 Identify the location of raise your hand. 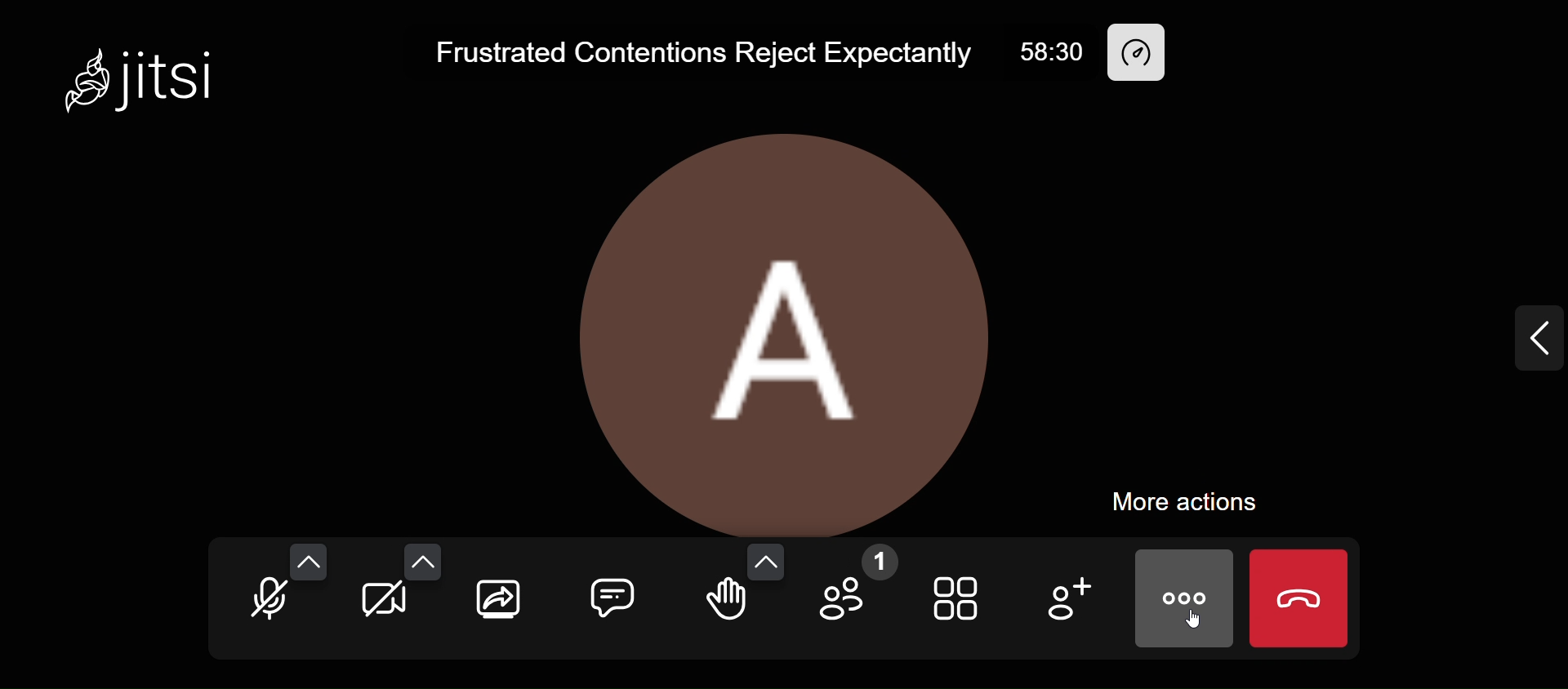
(724, 606).